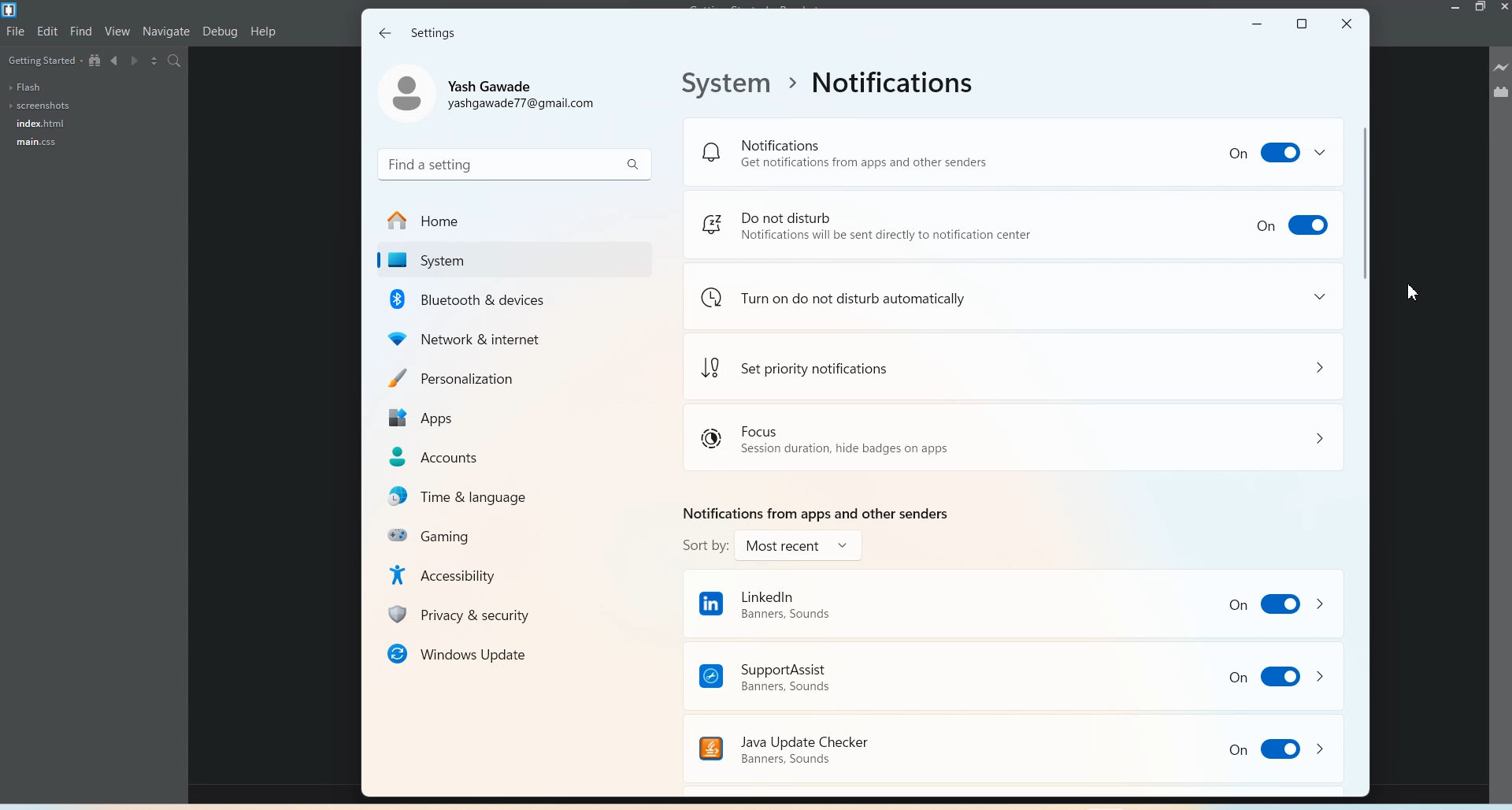 Image resolution: width=1512 pixels, height=810 pixels. Describe the element at coordinates (508, 415) in the screenshot. I see `Apps` at that location.